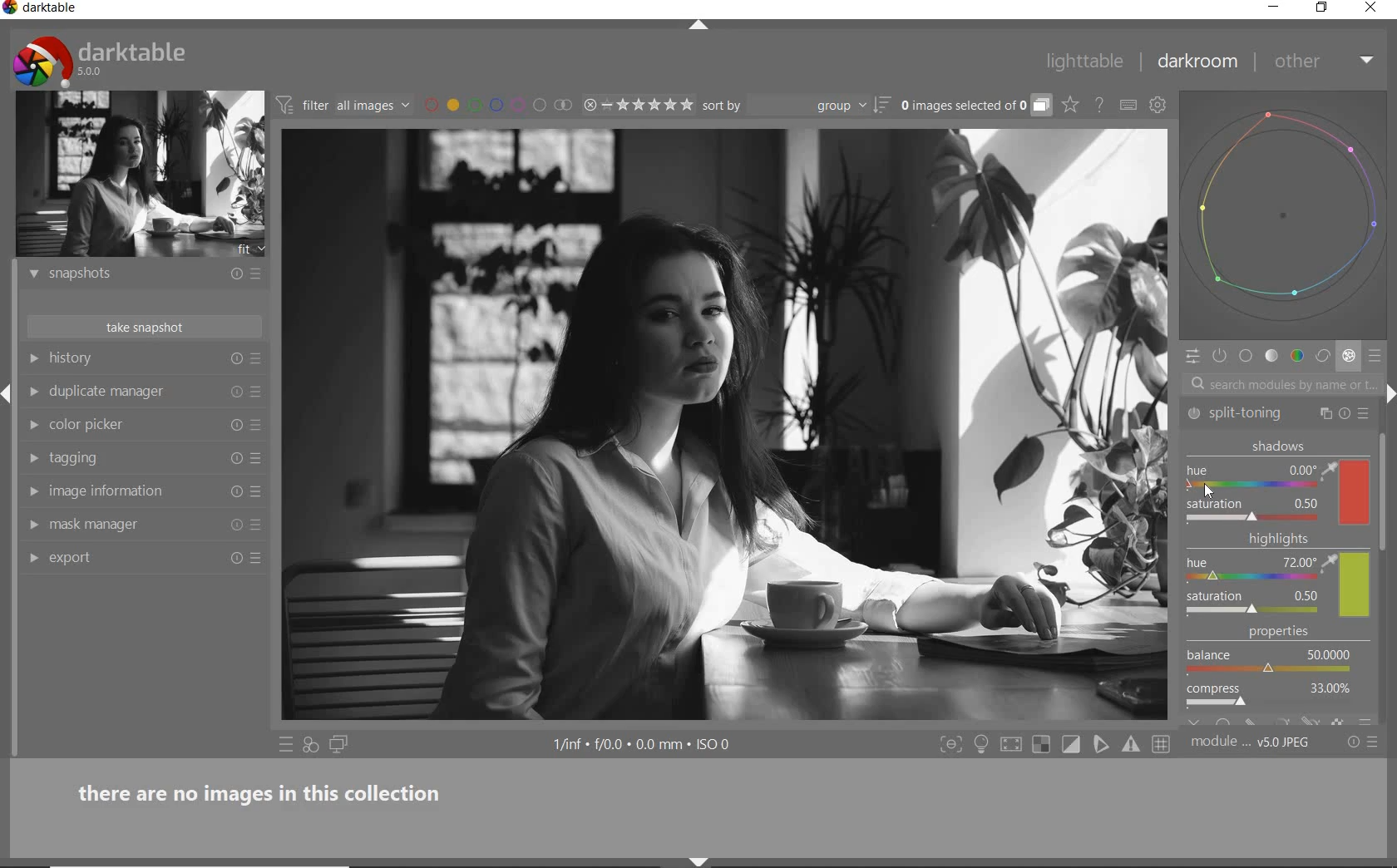 This screenshot has height=868, width=1397. What do you see at coordinates (31, 459) in the screenshot?
I see `show module` at bounding box center [31, 459].